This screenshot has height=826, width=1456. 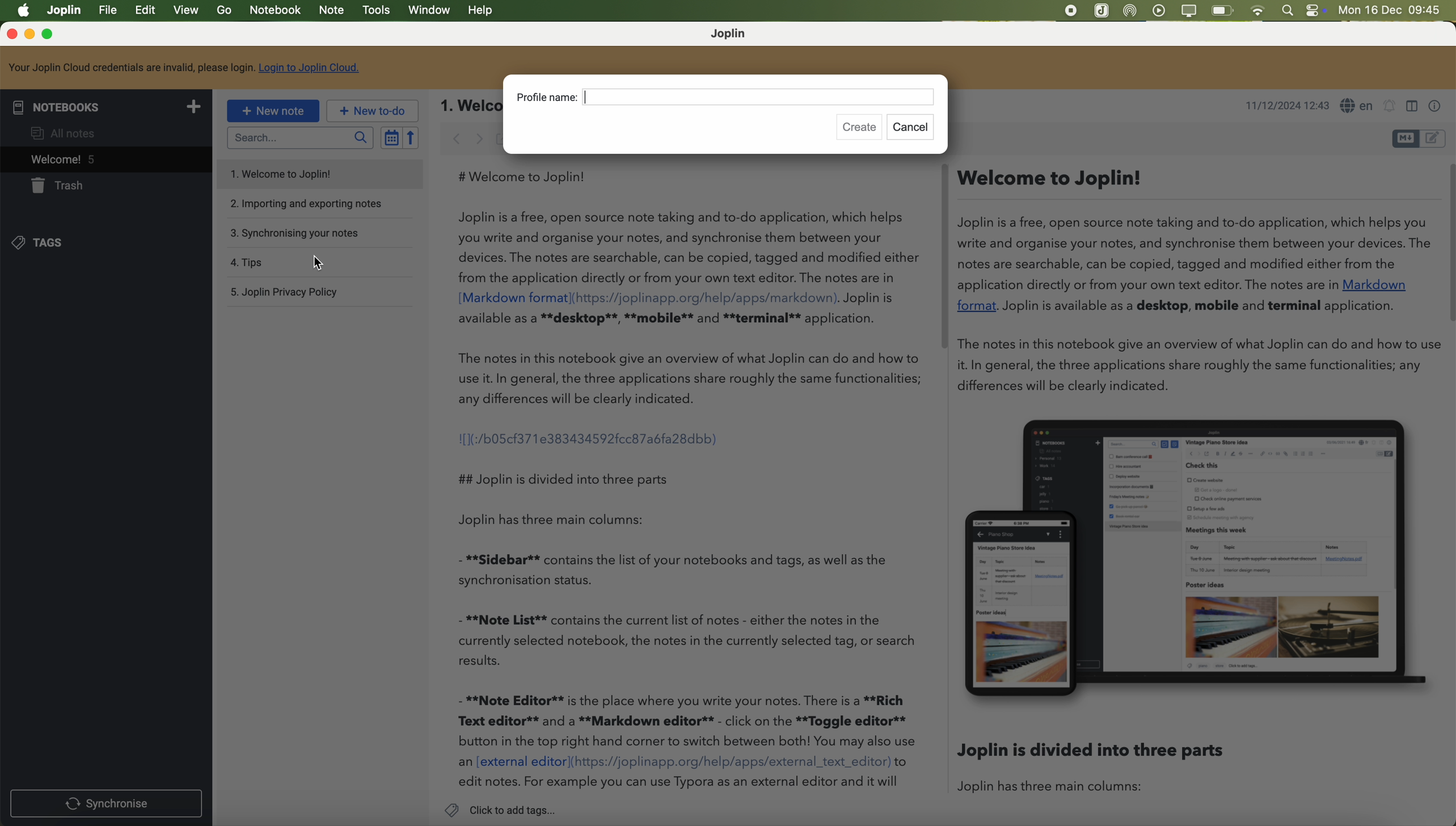 What do you see at coordinates (273, 112) in the screenshot?
I see `new note` at bounding box center [273, 112].